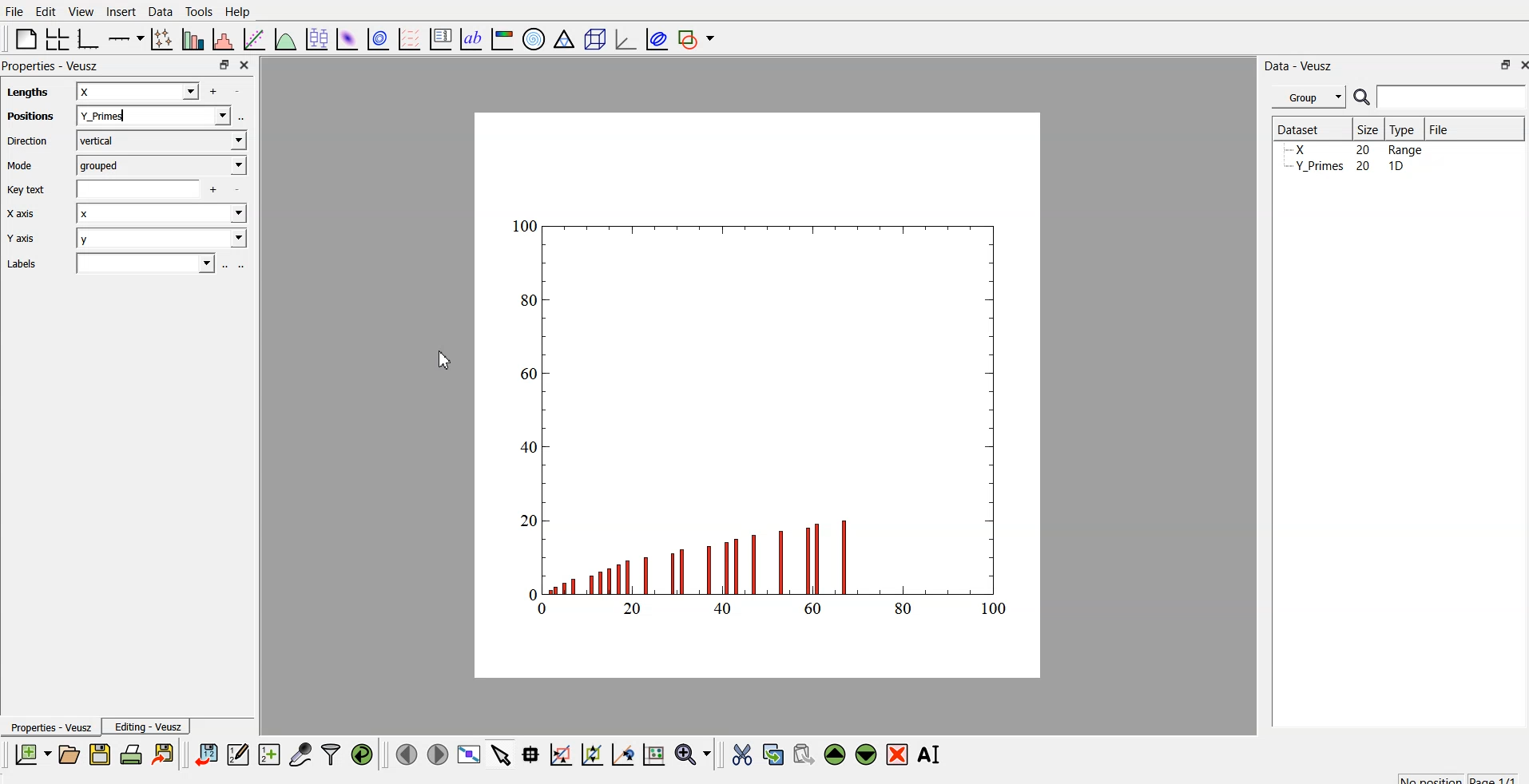 This screenshot has width=1529, height=784. Describe the element at coordinates (657, 38) in the screenshot. I see `plot covariance ellipses` at that location.